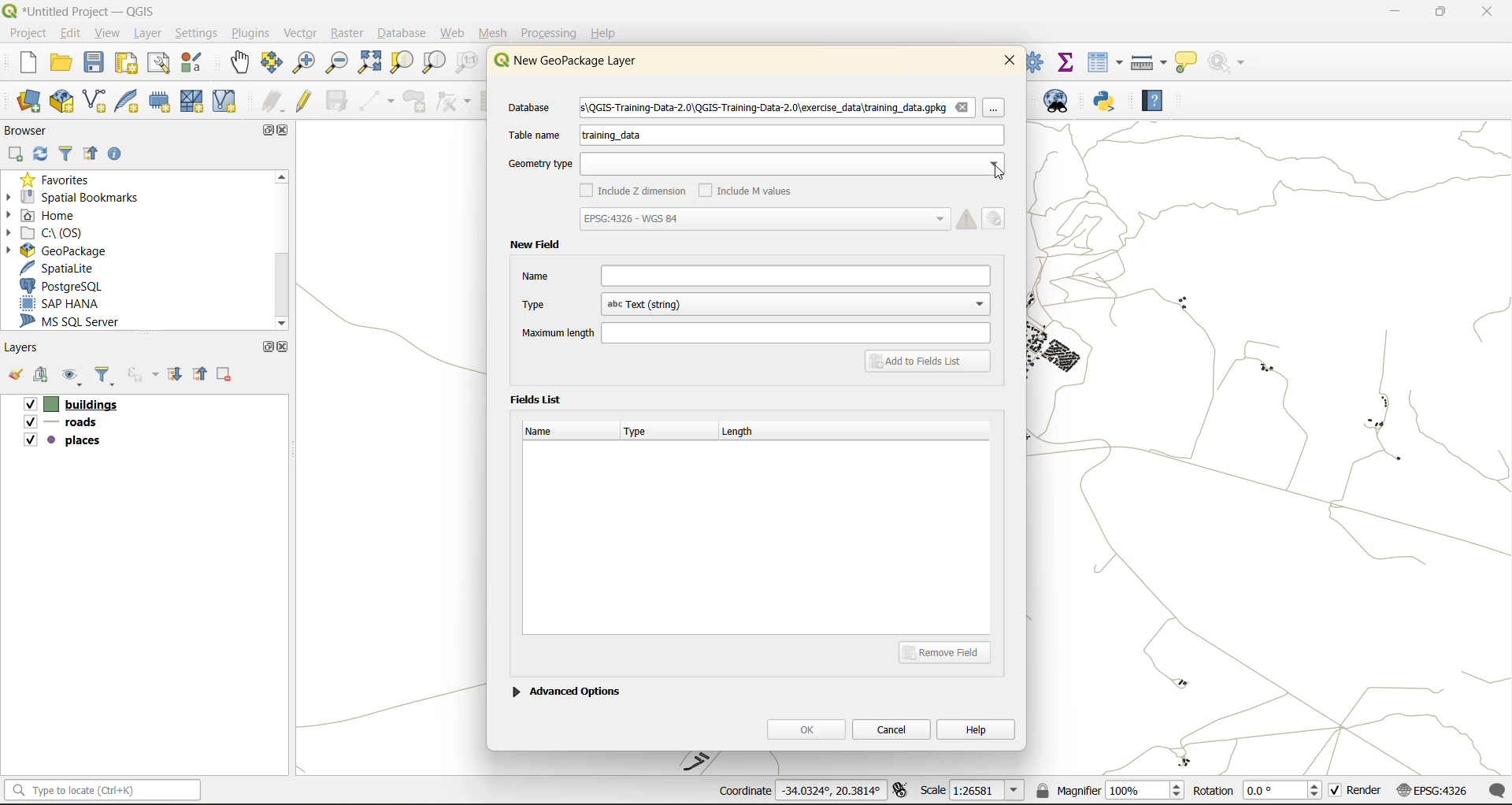  I want to click on collapse all, so click(202, 373).